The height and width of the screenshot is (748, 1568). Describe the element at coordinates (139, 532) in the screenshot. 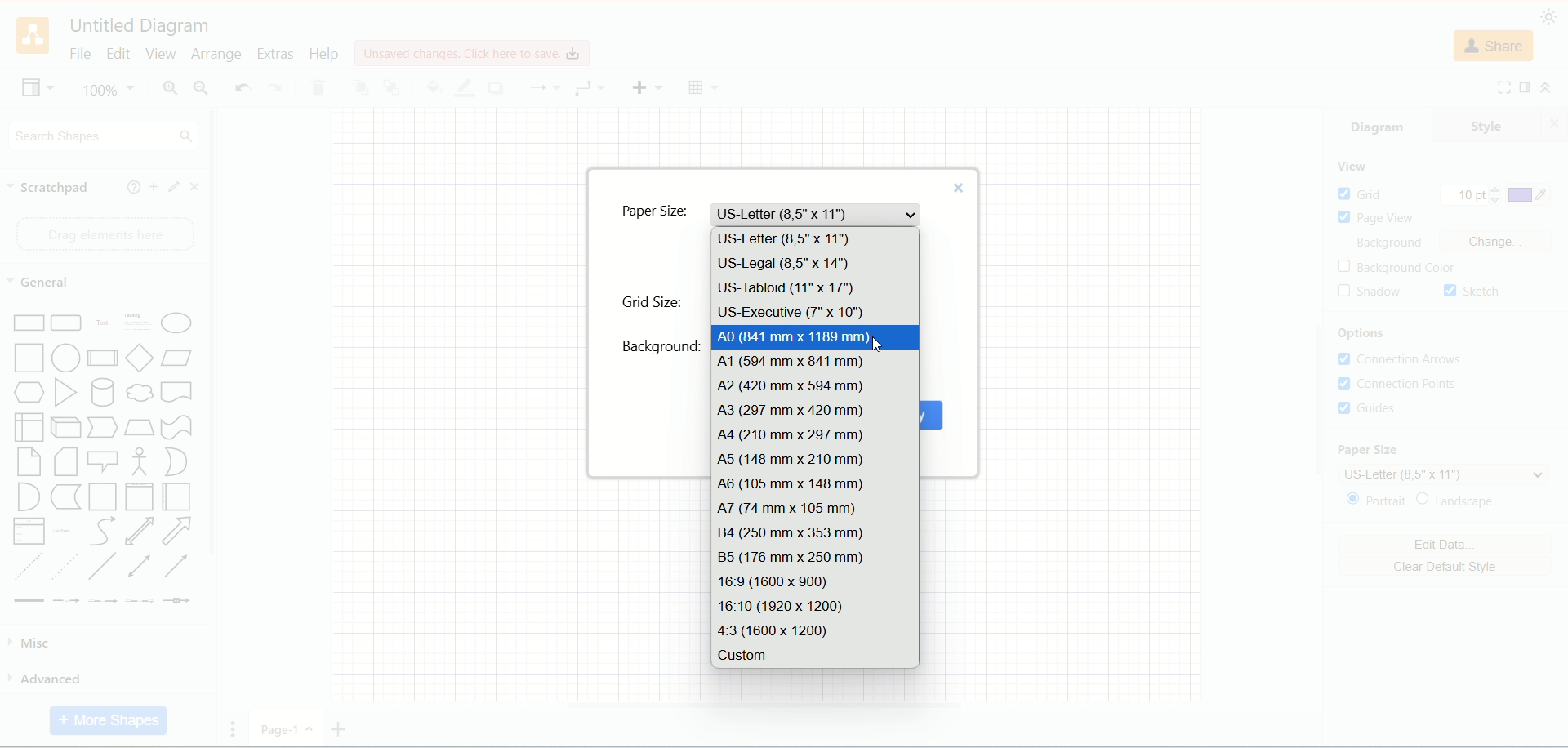

I see `Bidirectional Arrow` at that location.